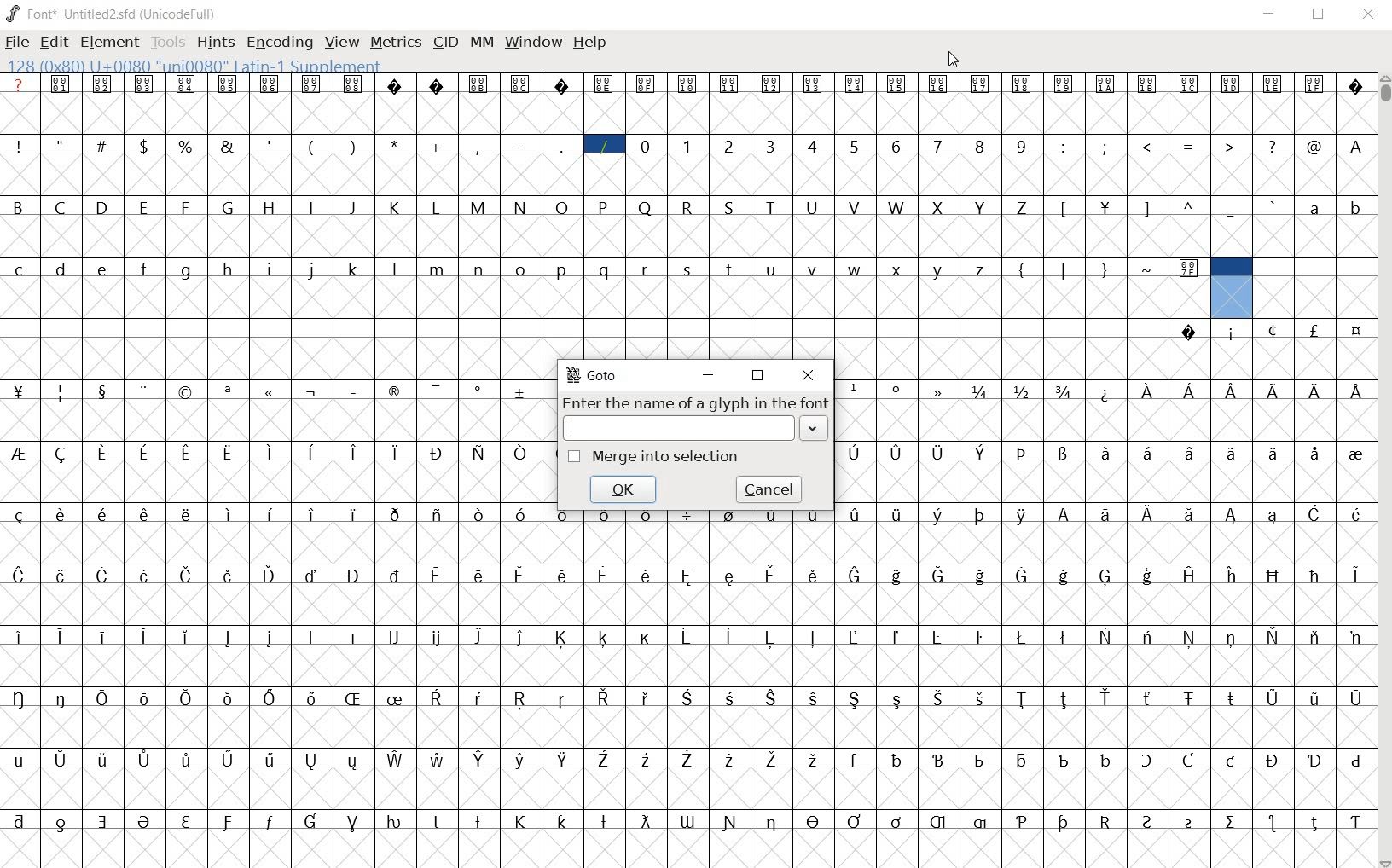 Image resolution: width=1392 pixels, height=868 pixels. What do you see at coordinates (1107, 453) in the screenshot?
I see `Symbol` at bounding box center [1107, 453].